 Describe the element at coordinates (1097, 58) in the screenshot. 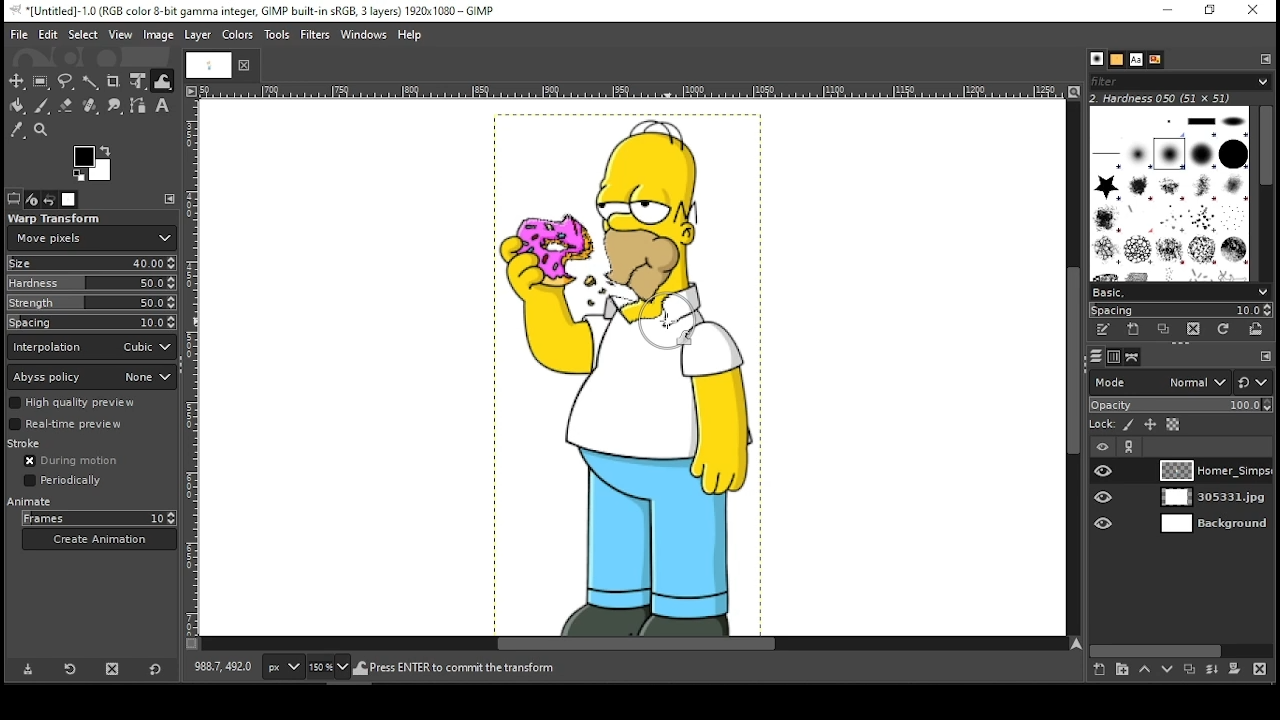

I see `brush` at that location.